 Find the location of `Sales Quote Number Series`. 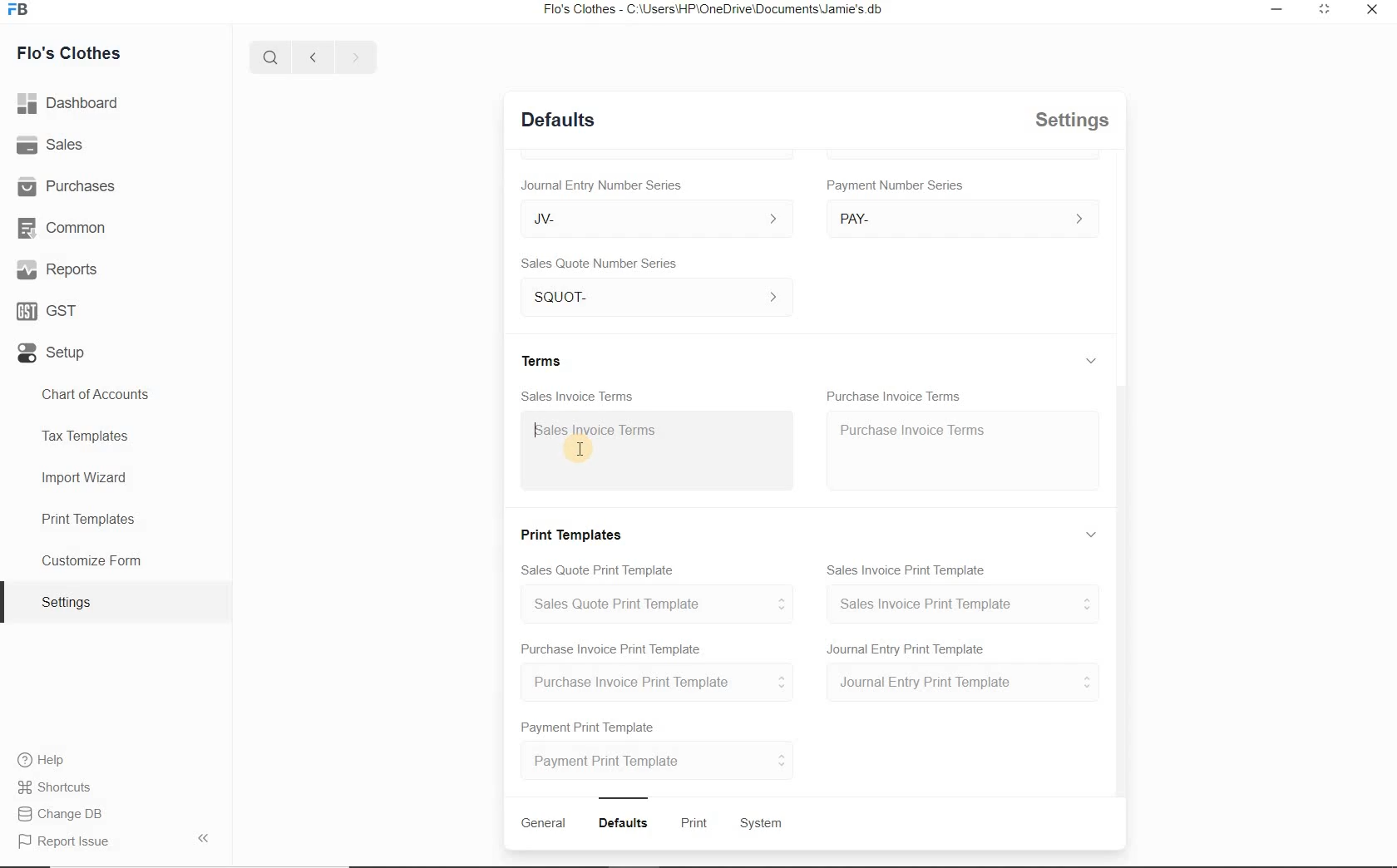

Sales Quote Number Series is located at coordinates (604, 262).